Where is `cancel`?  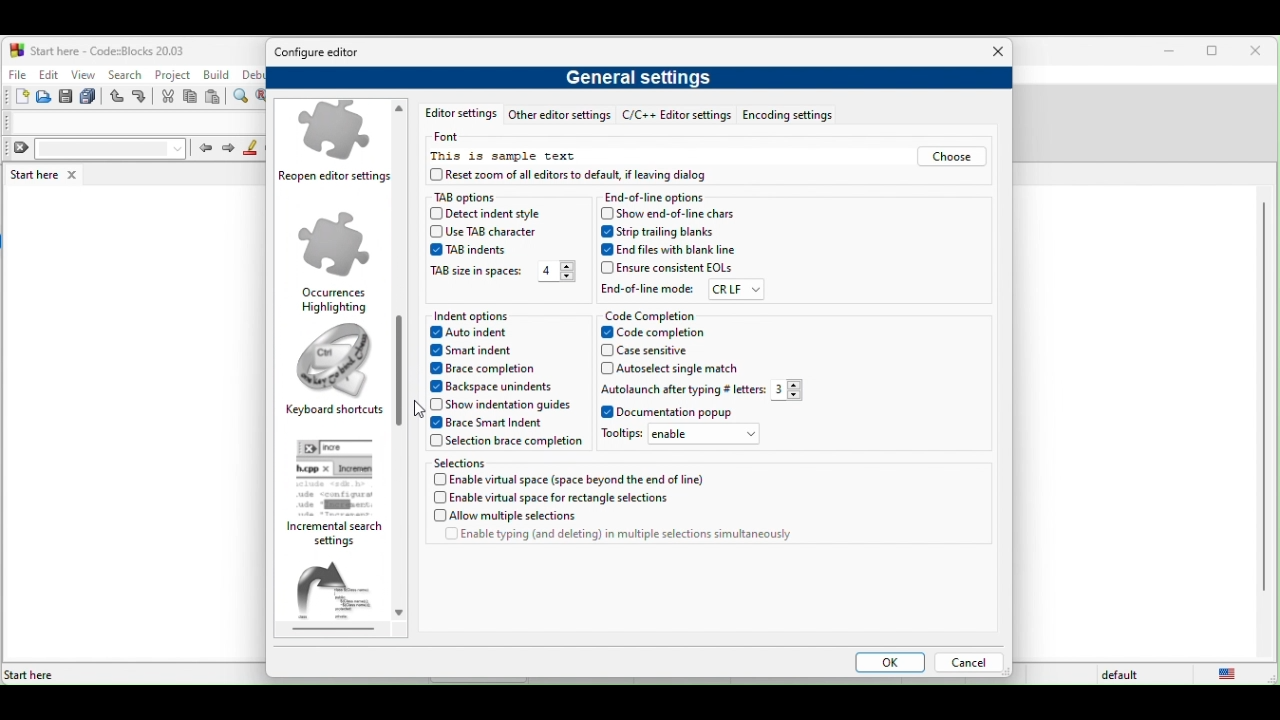 cancel is located at coordinates (968, 664).